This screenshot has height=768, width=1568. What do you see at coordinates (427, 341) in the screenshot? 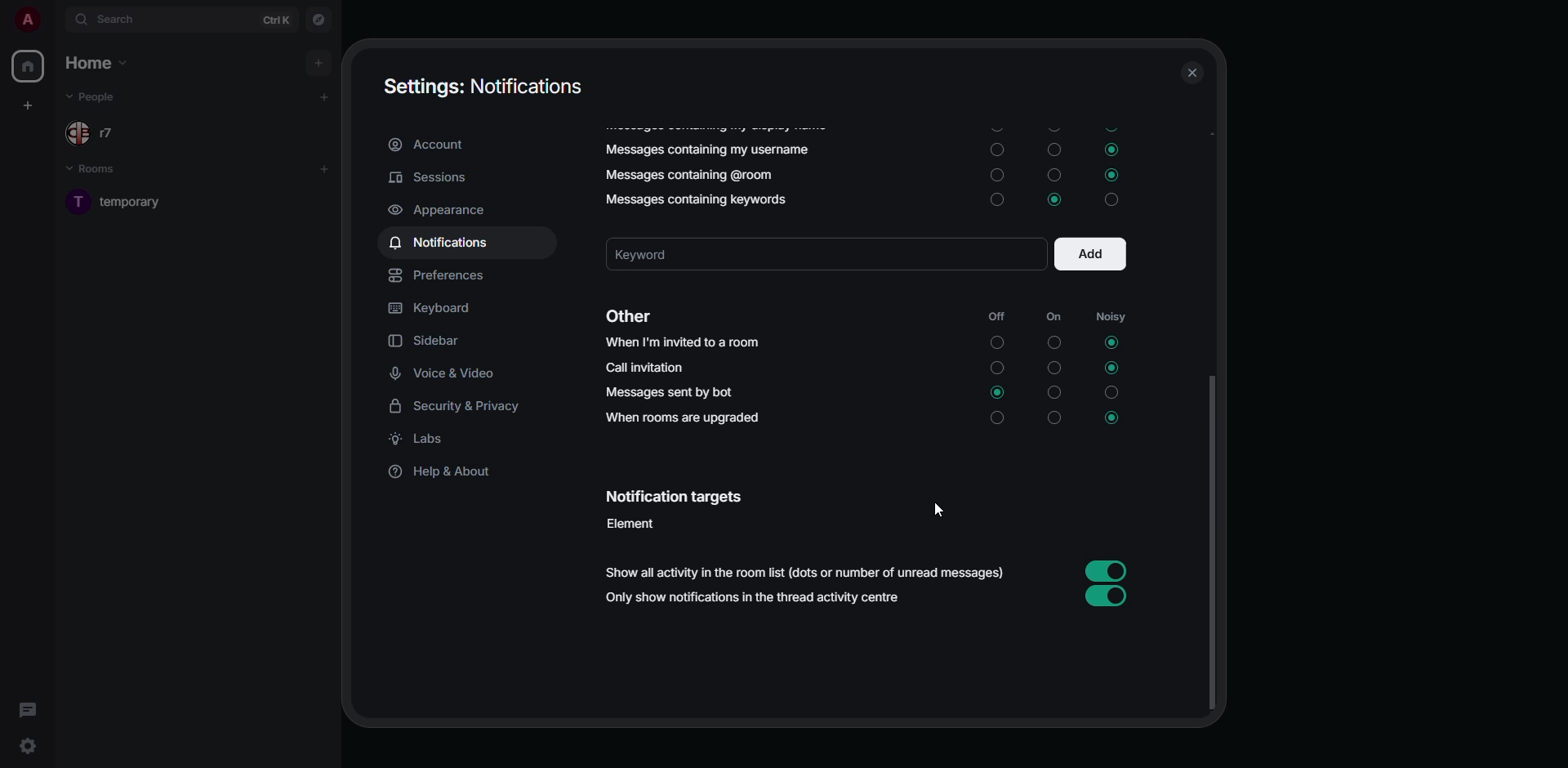
I see `sidebar` at bounding box center [427, 341].